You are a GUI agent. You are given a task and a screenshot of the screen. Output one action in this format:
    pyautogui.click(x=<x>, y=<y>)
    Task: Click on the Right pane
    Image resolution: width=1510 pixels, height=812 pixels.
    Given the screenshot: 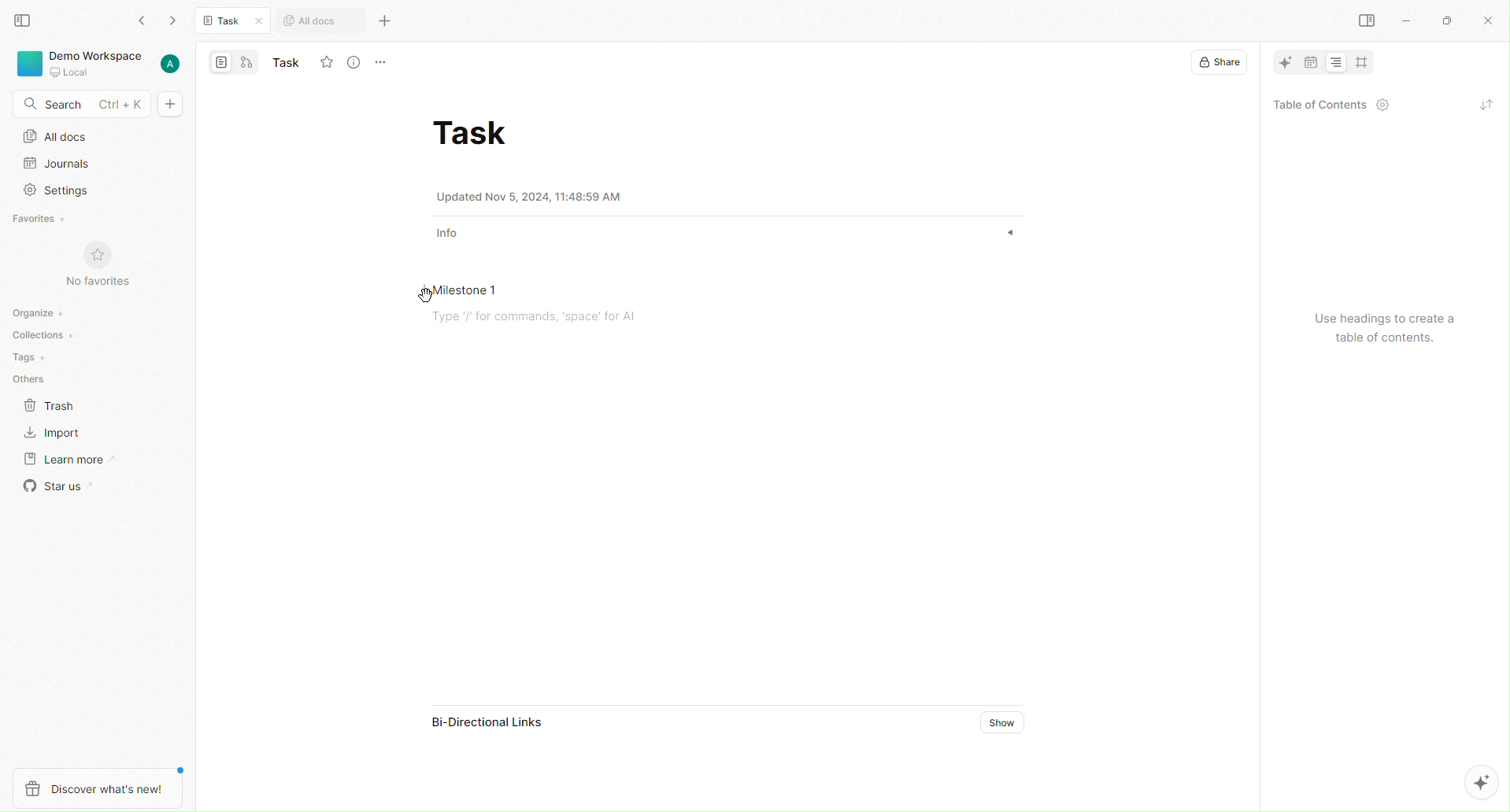 What is the action you would take?
    pyautogui.click(x=1370, y=21)
    